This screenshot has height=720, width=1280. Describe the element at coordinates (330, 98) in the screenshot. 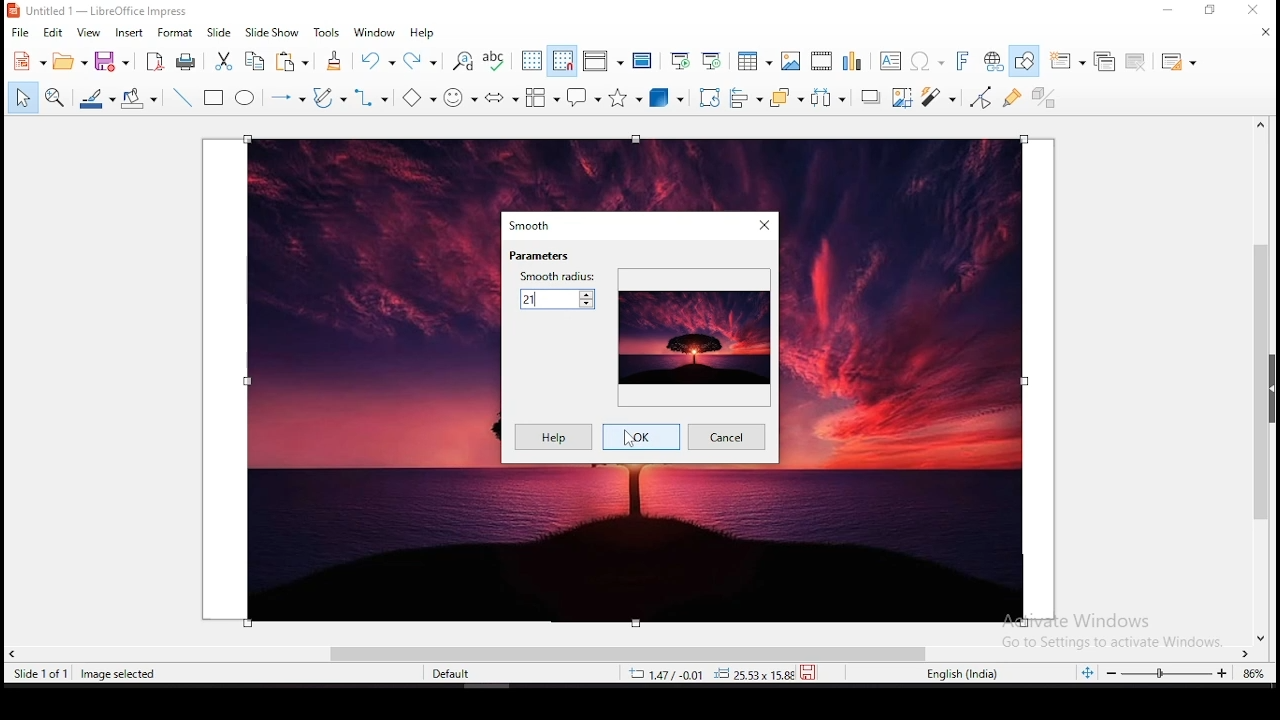

I see `curves and polygons` at that location.